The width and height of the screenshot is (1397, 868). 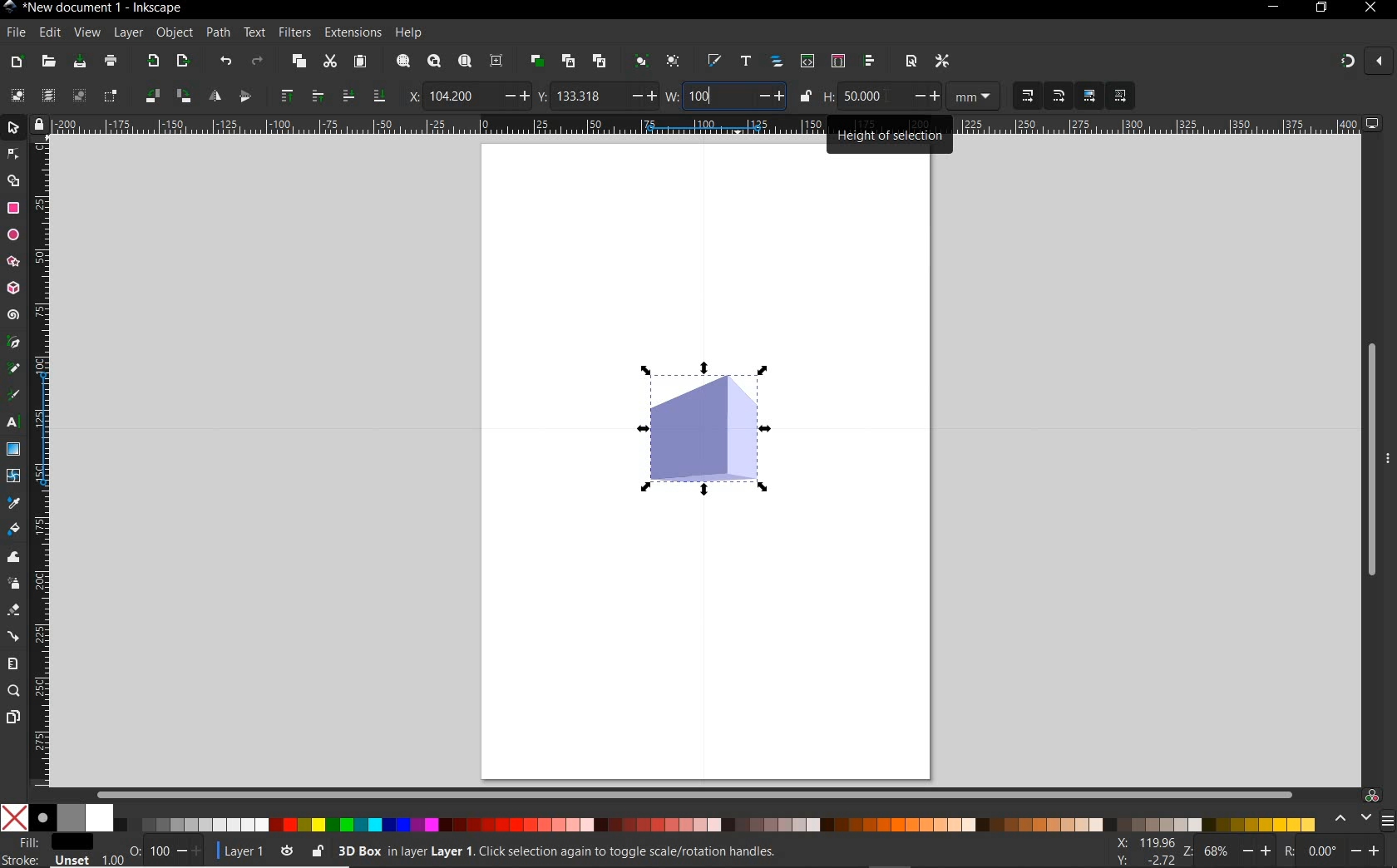 I want to click on open document properties, so click(x=911, y=62).